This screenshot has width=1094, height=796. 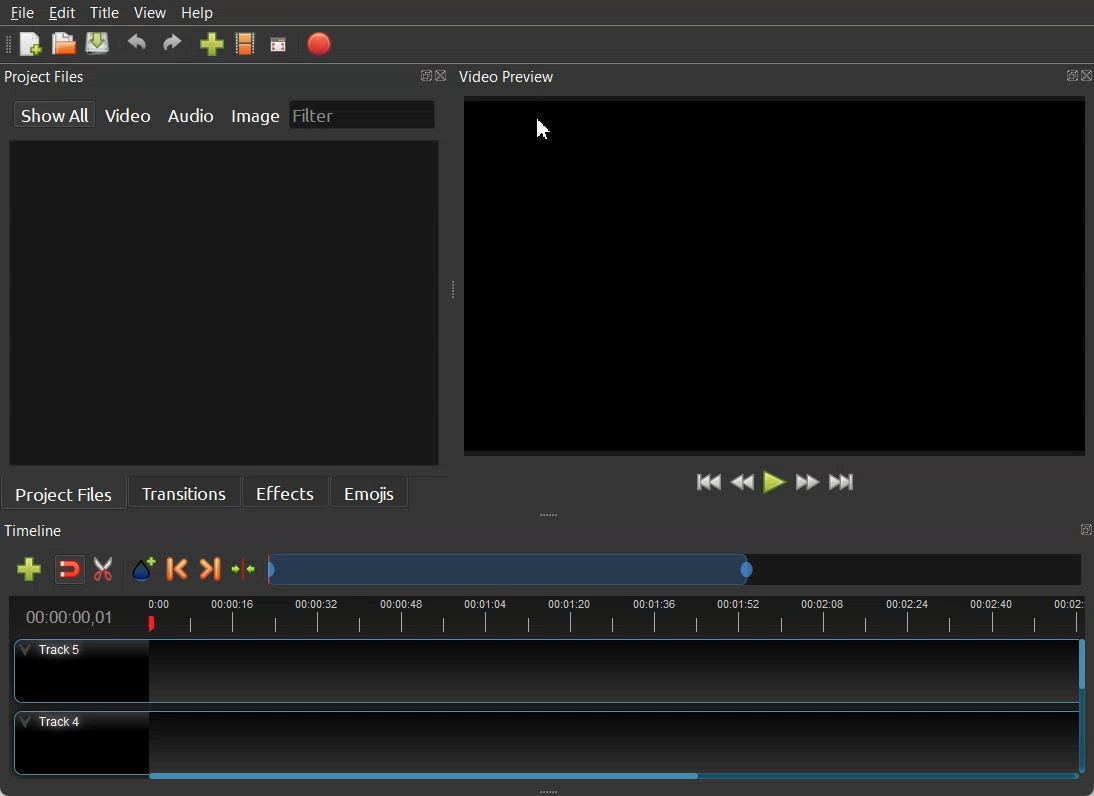 I want to click on Center the timeline on the play head, so click(x=244, y=569).